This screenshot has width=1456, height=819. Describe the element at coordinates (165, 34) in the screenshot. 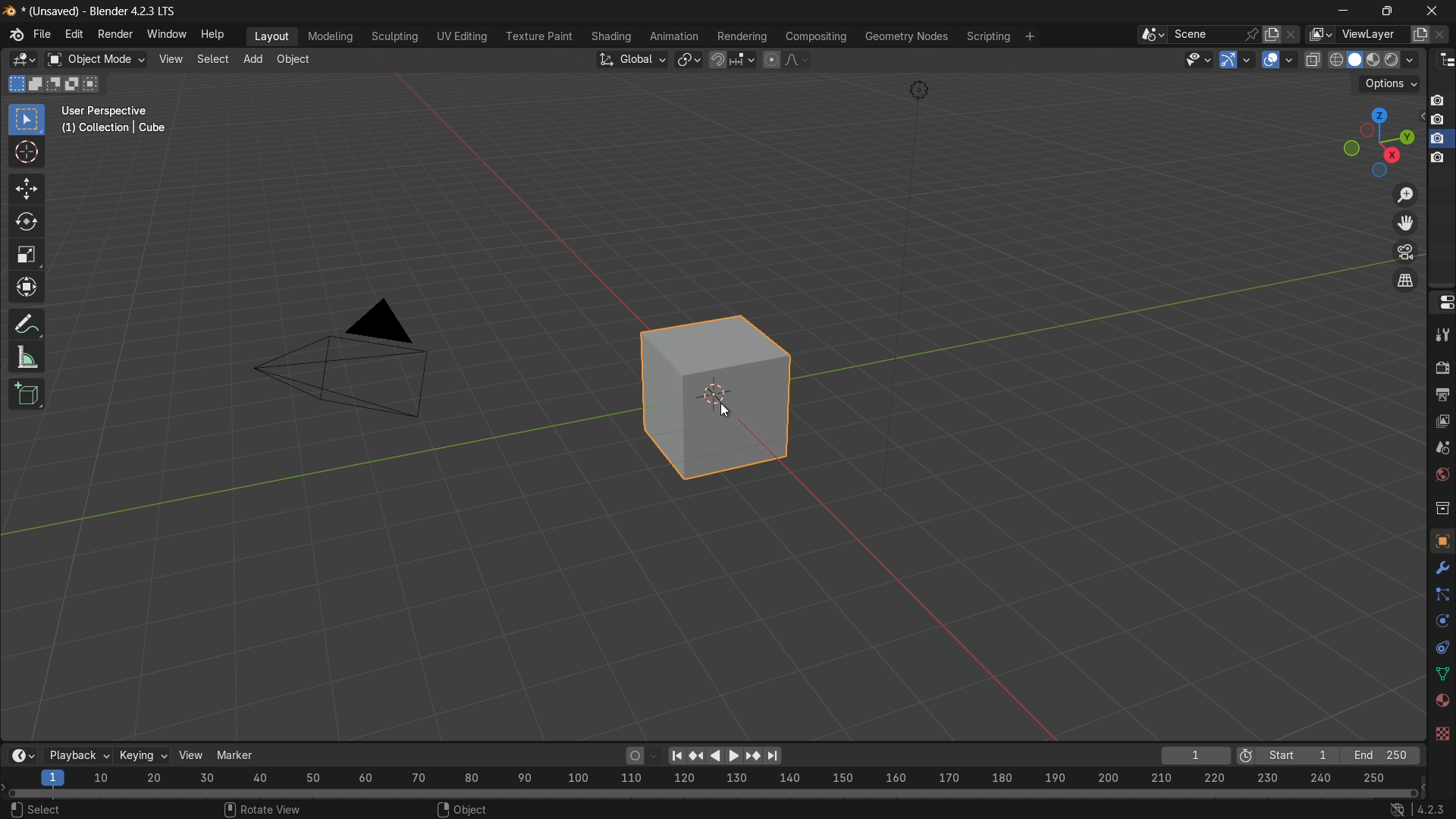

I see `window menu` at that location.